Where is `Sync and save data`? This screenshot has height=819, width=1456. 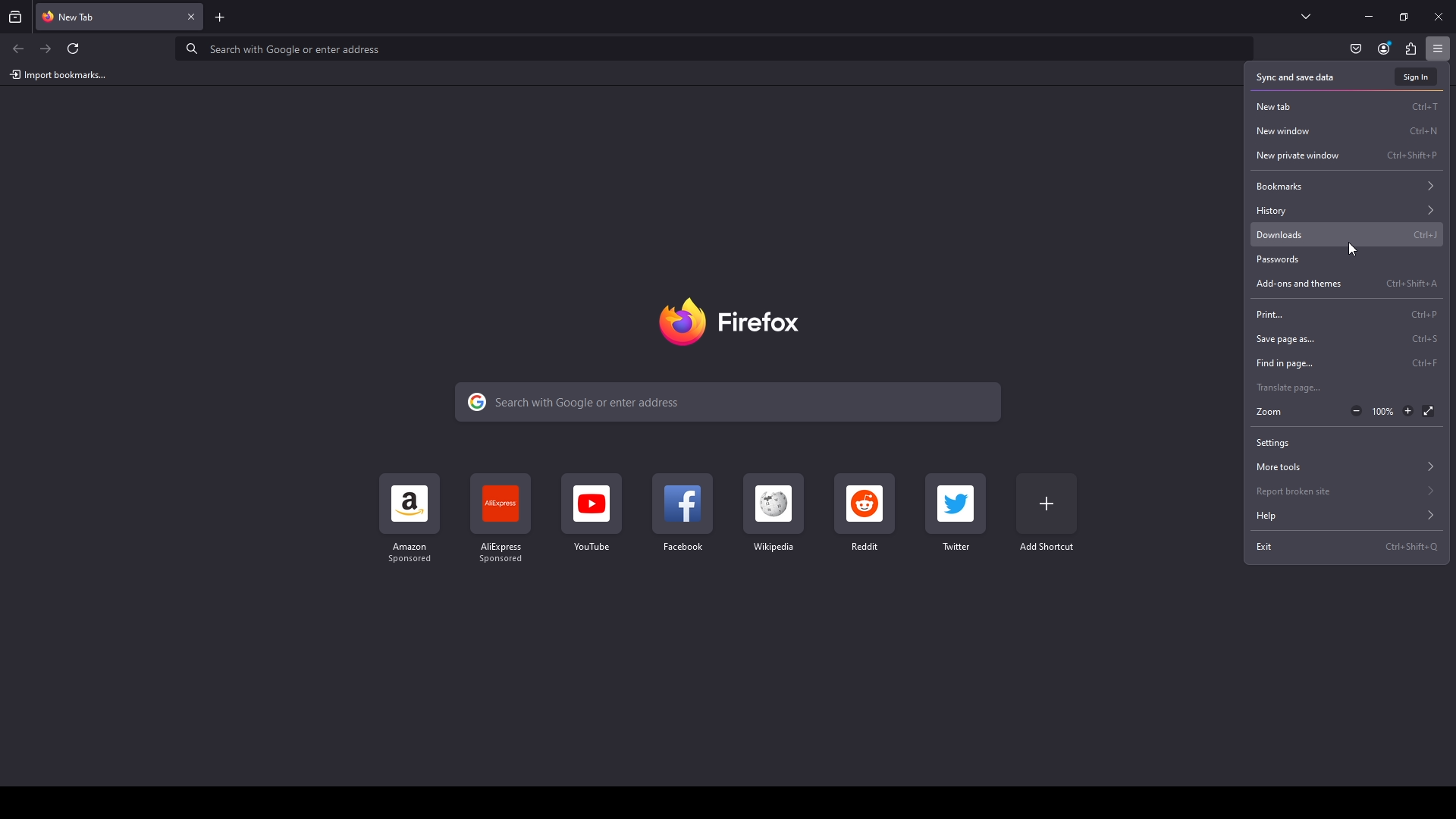 Sync and save data is located at coordinates (1313, 77).